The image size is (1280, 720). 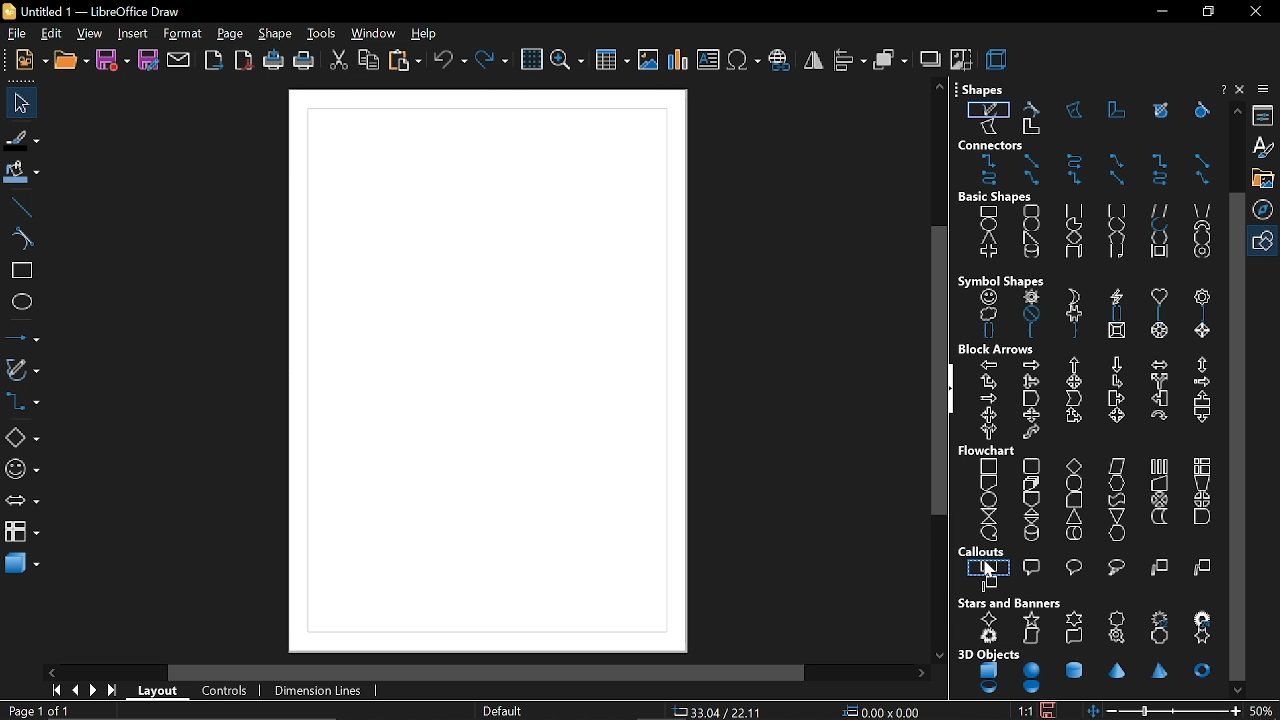 What do you see at coordinates (1074, 465) in the screenshot?
I see `decision` at bounding box center [1074, 465].